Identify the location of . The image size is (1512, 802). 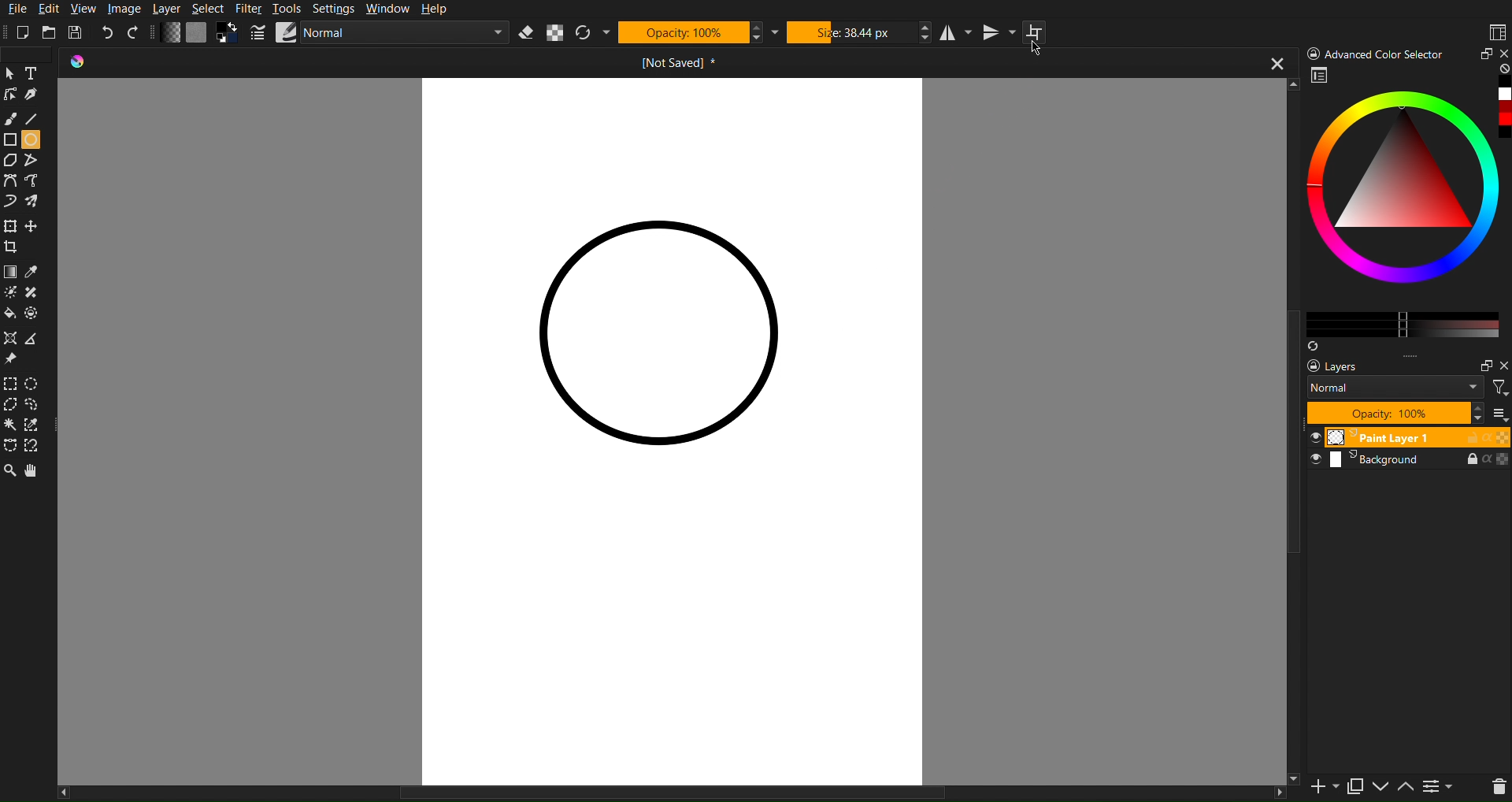
(1503, 365).